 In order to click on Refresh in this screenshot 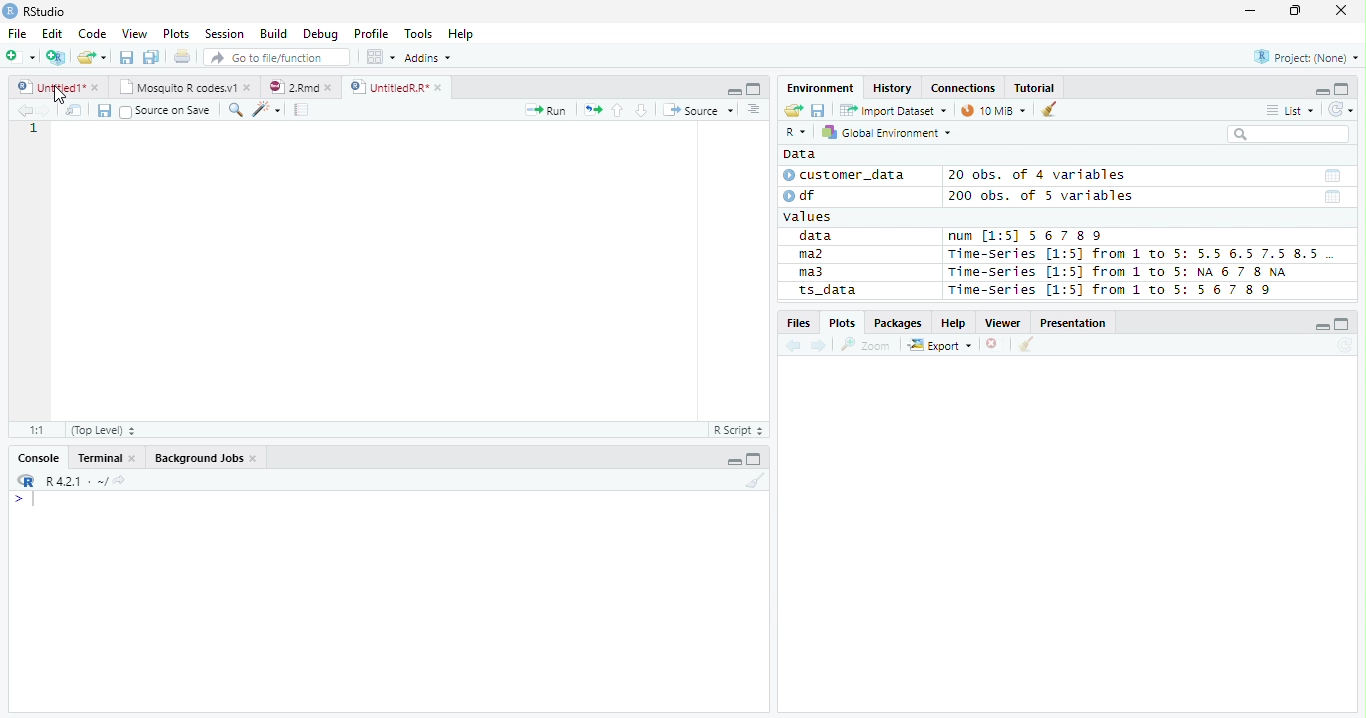, I will do `click(1341, 107)`.